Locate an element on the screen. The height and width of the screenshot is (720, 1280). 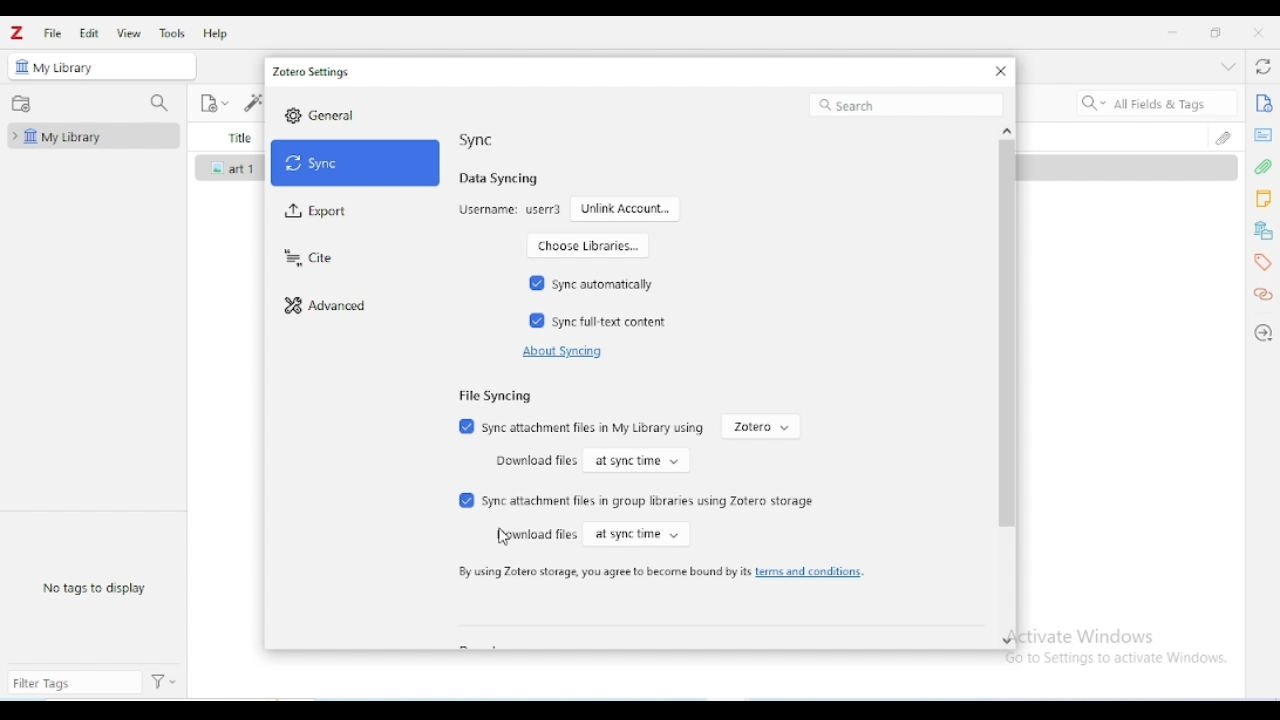
Checked box is located at coordinates (537, 320).